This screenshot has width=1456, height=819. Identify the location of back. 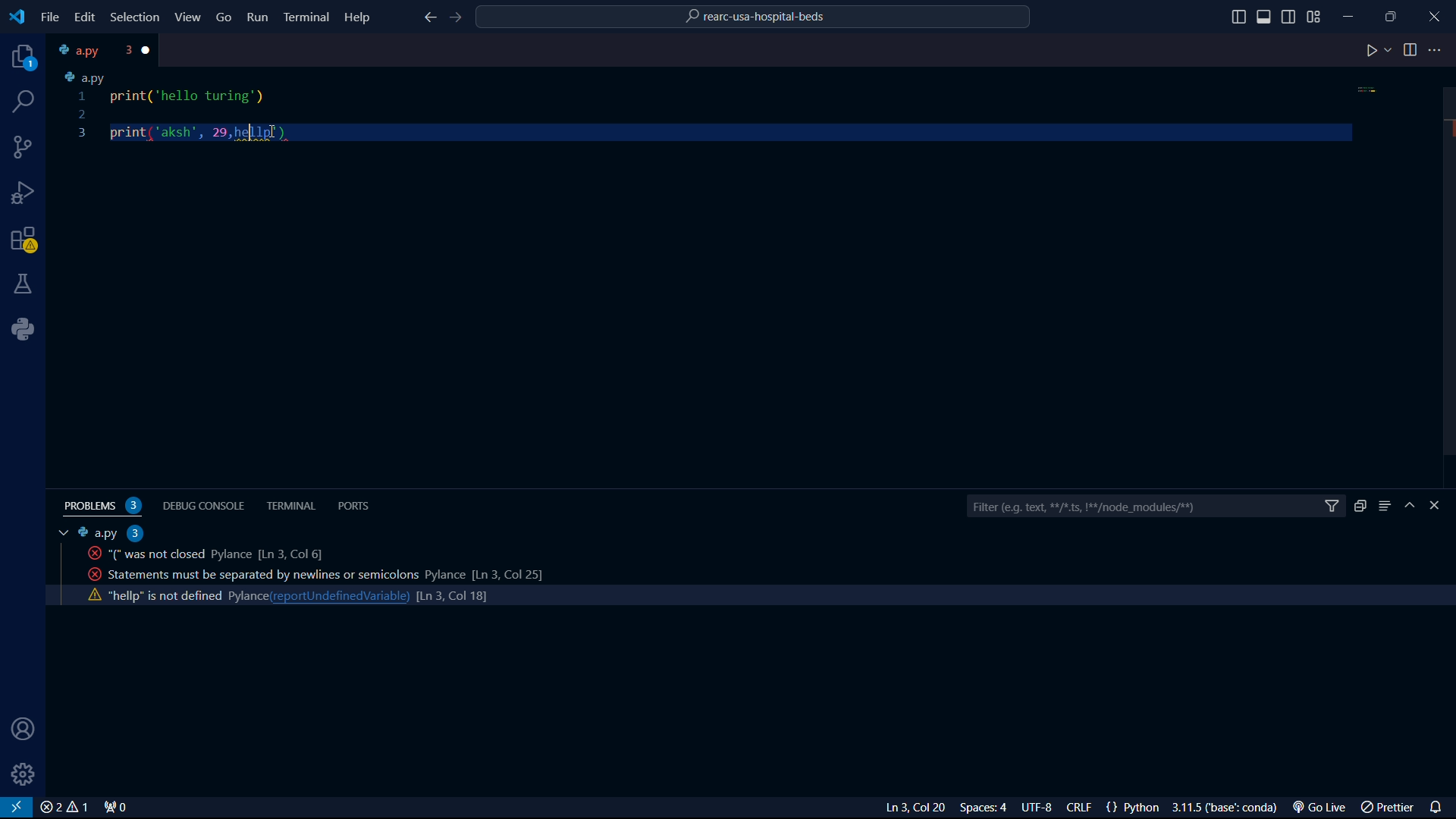
(428, 19).